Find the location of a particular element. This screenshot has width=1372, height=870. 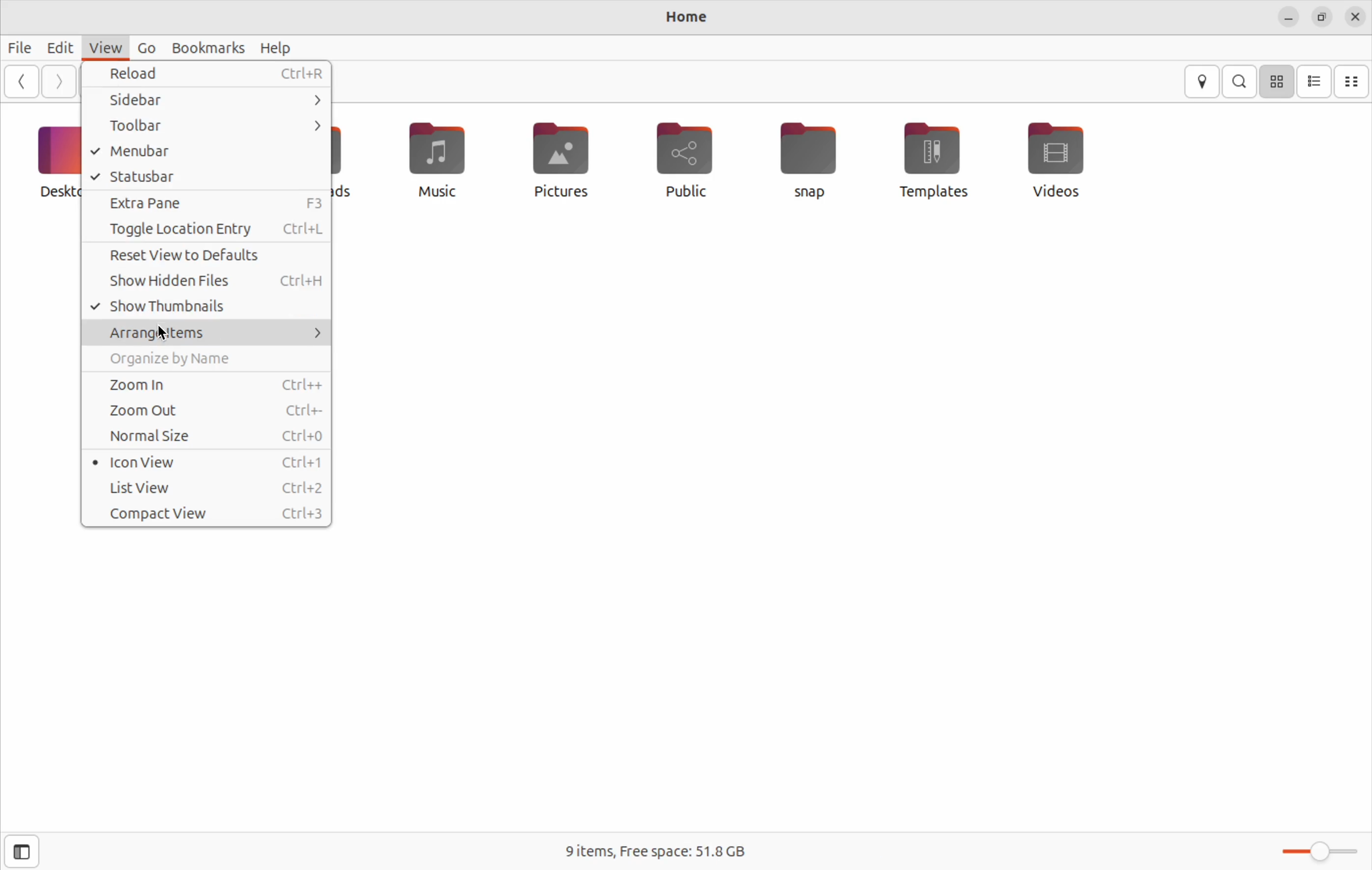

downloads is located at coordinates (348, 160).